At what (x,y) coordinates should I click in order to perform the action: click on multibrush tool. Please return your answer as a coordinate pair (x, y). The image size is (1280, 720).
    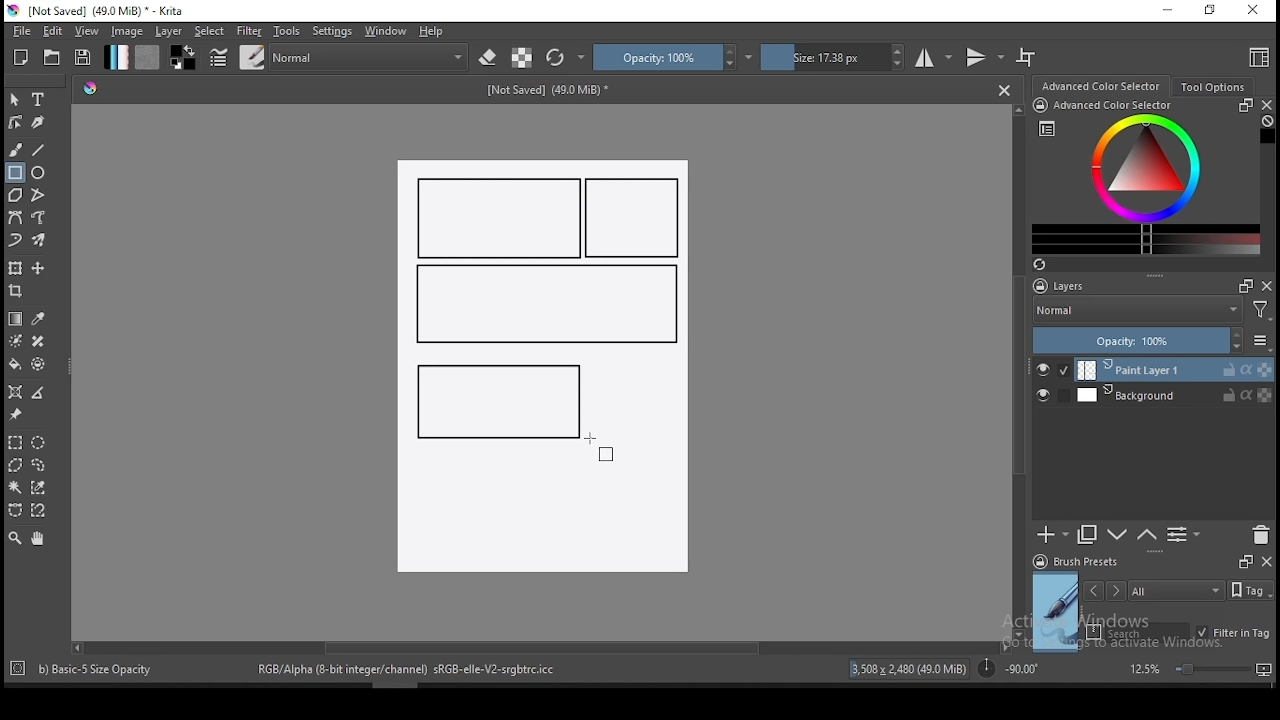
    Looking at the image, I should click on (40, 242).